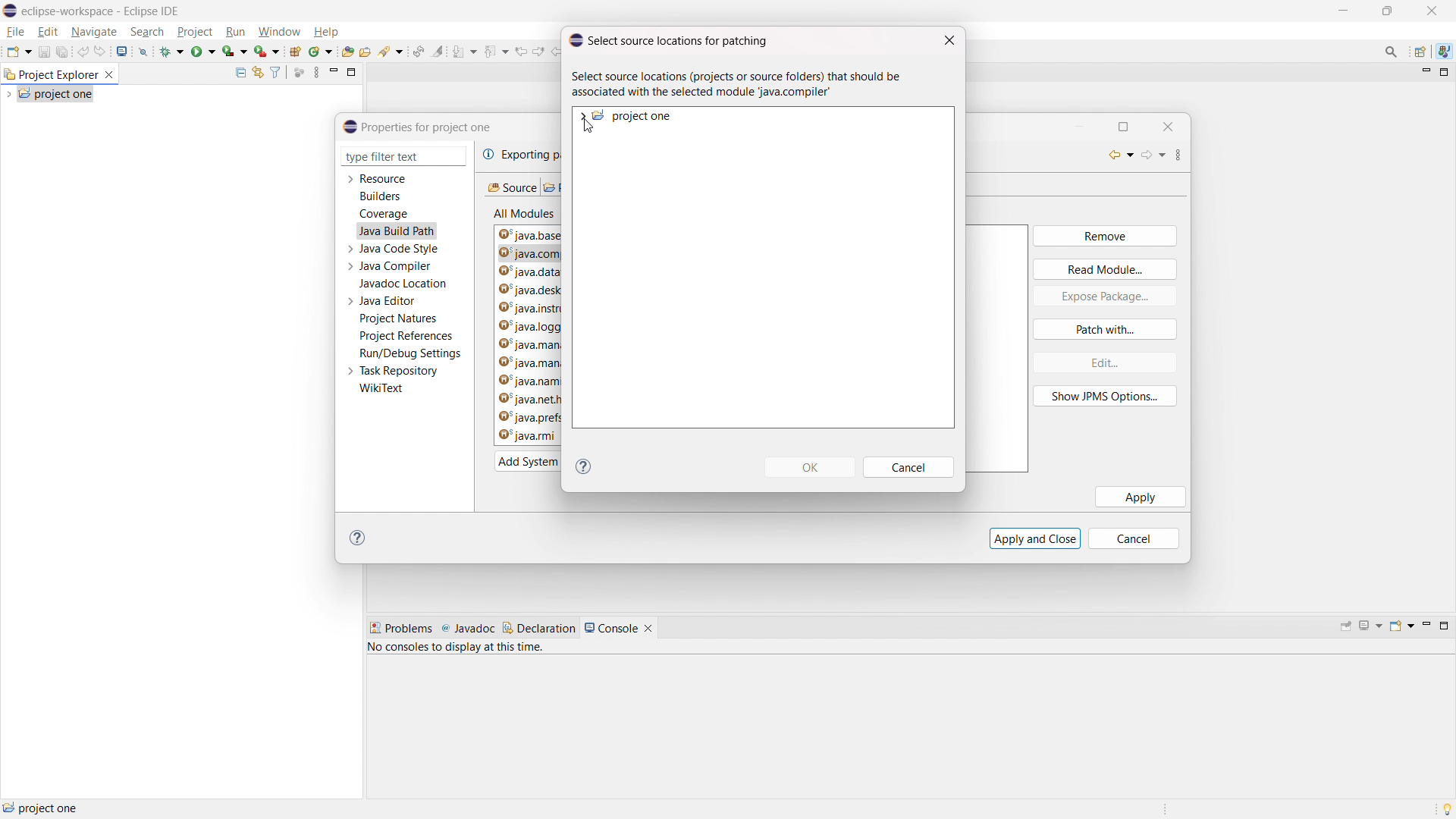 The height and width of the screenshot is (819, 1456). What do you see at coordinates (256, 73) in the screenshot?
I see `link to editor` at bounding box center [256, 73].